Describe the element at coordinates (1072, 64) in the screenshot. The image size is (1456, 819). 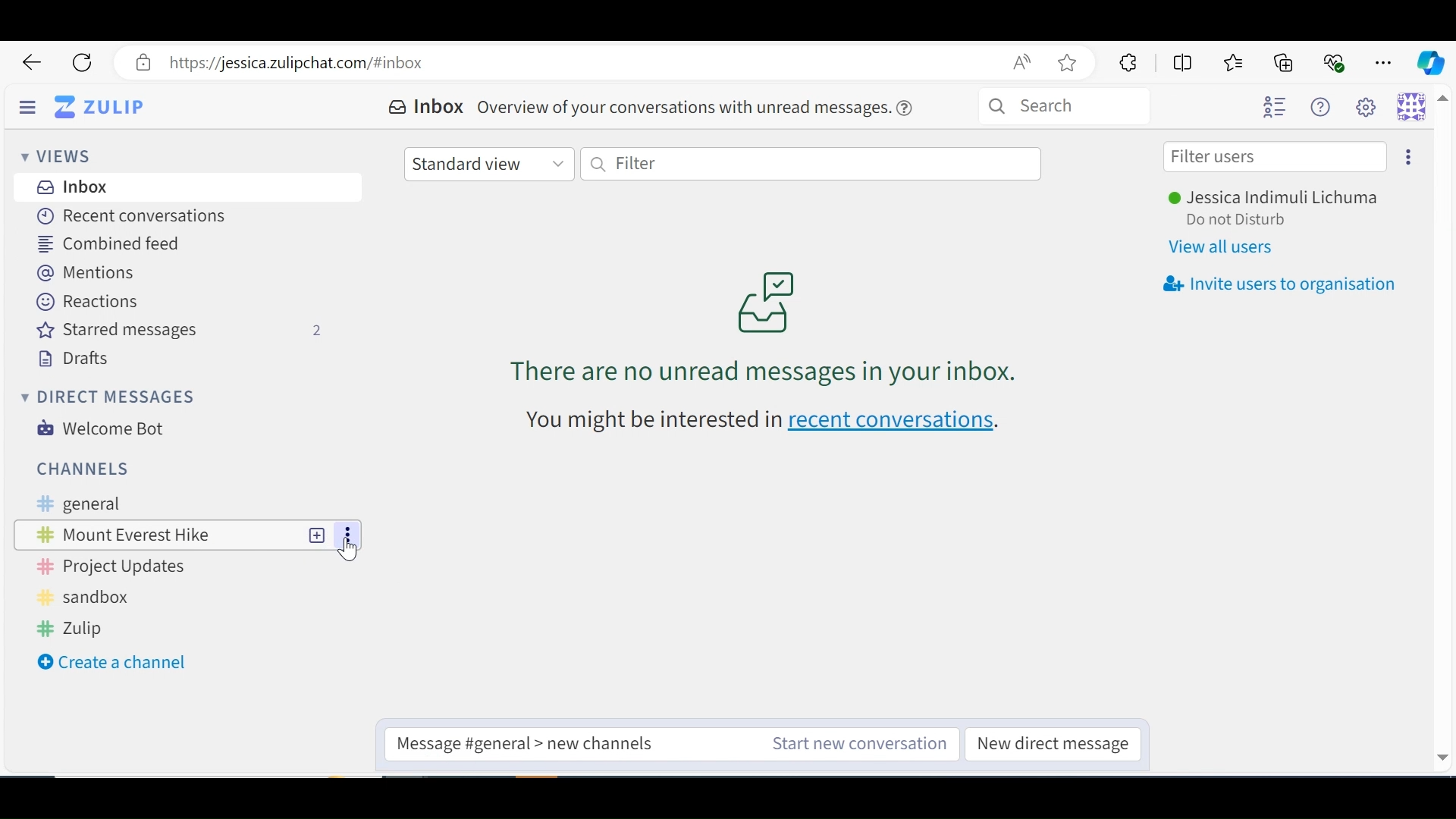
I see `Bookmark this page` at that location.